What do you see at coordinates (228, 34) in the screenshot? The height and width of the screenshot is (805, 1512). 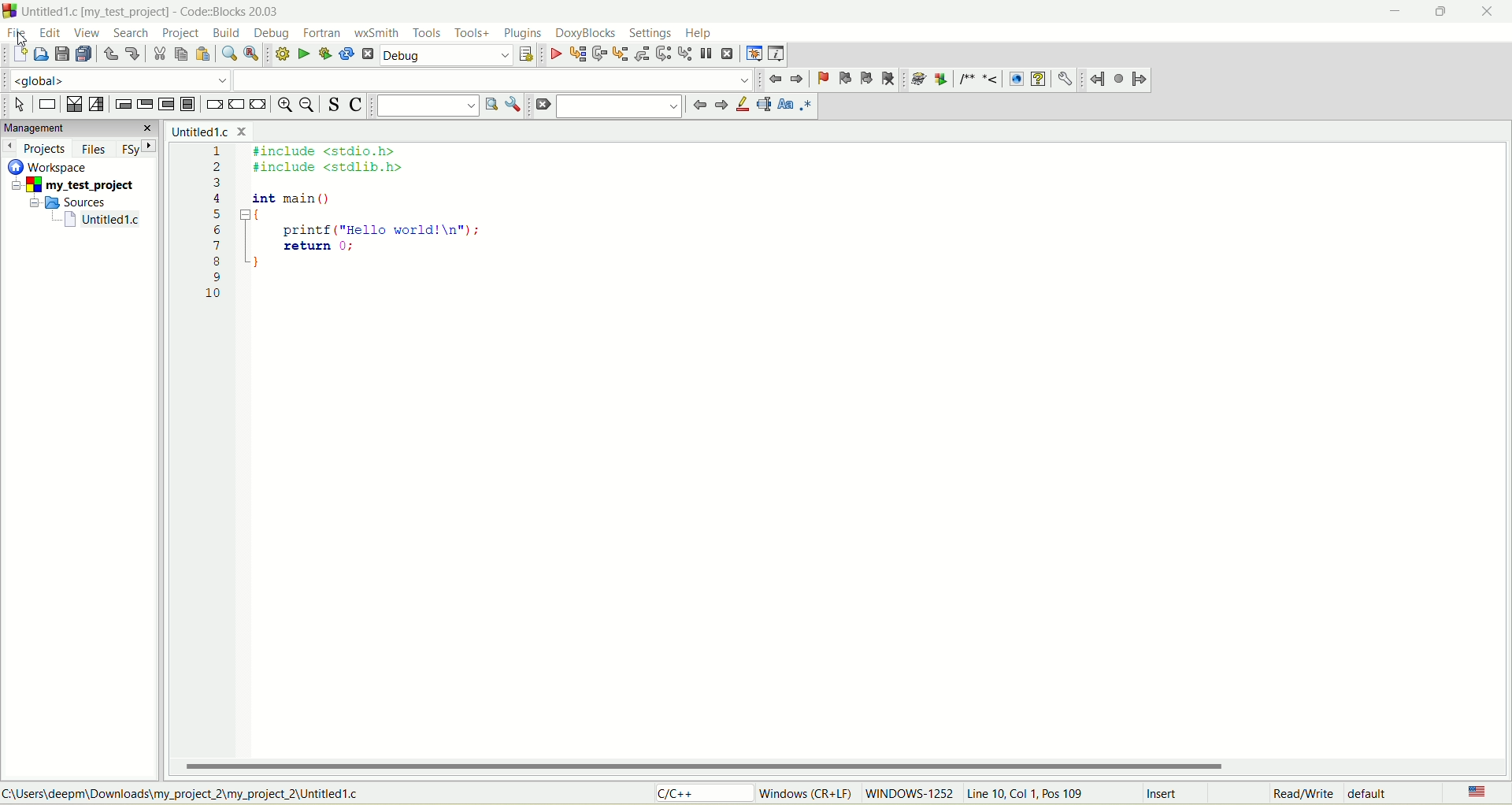 I see `build` at bounding box center [228, 34].